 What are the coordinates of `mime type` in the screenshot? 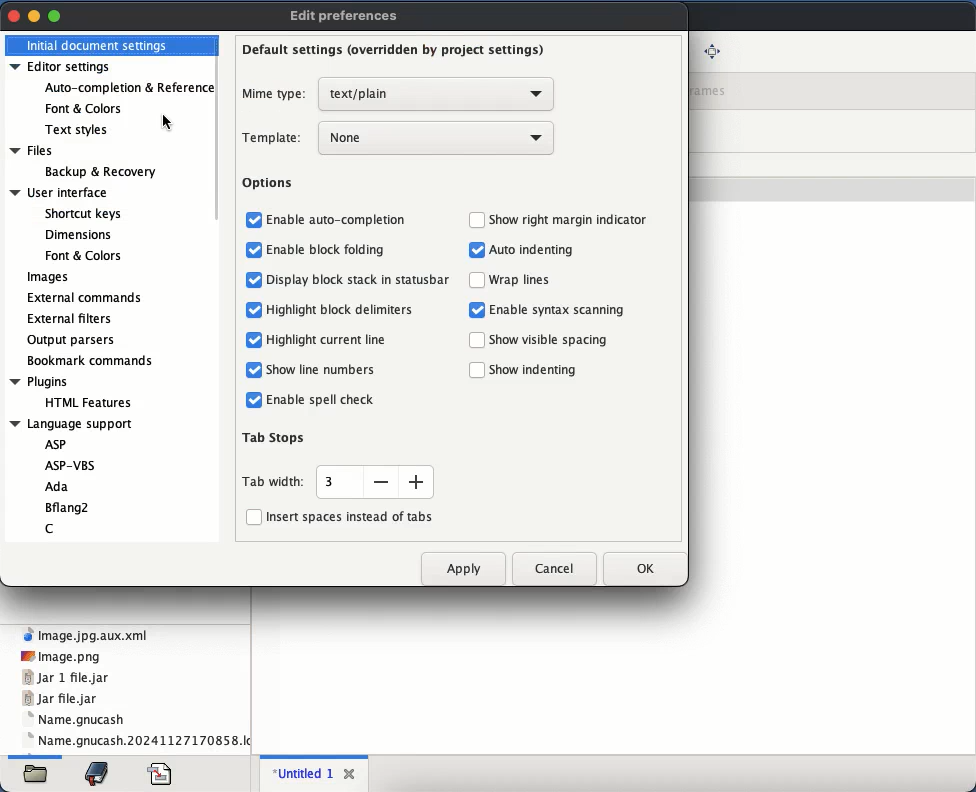 It's located at (278, 95).